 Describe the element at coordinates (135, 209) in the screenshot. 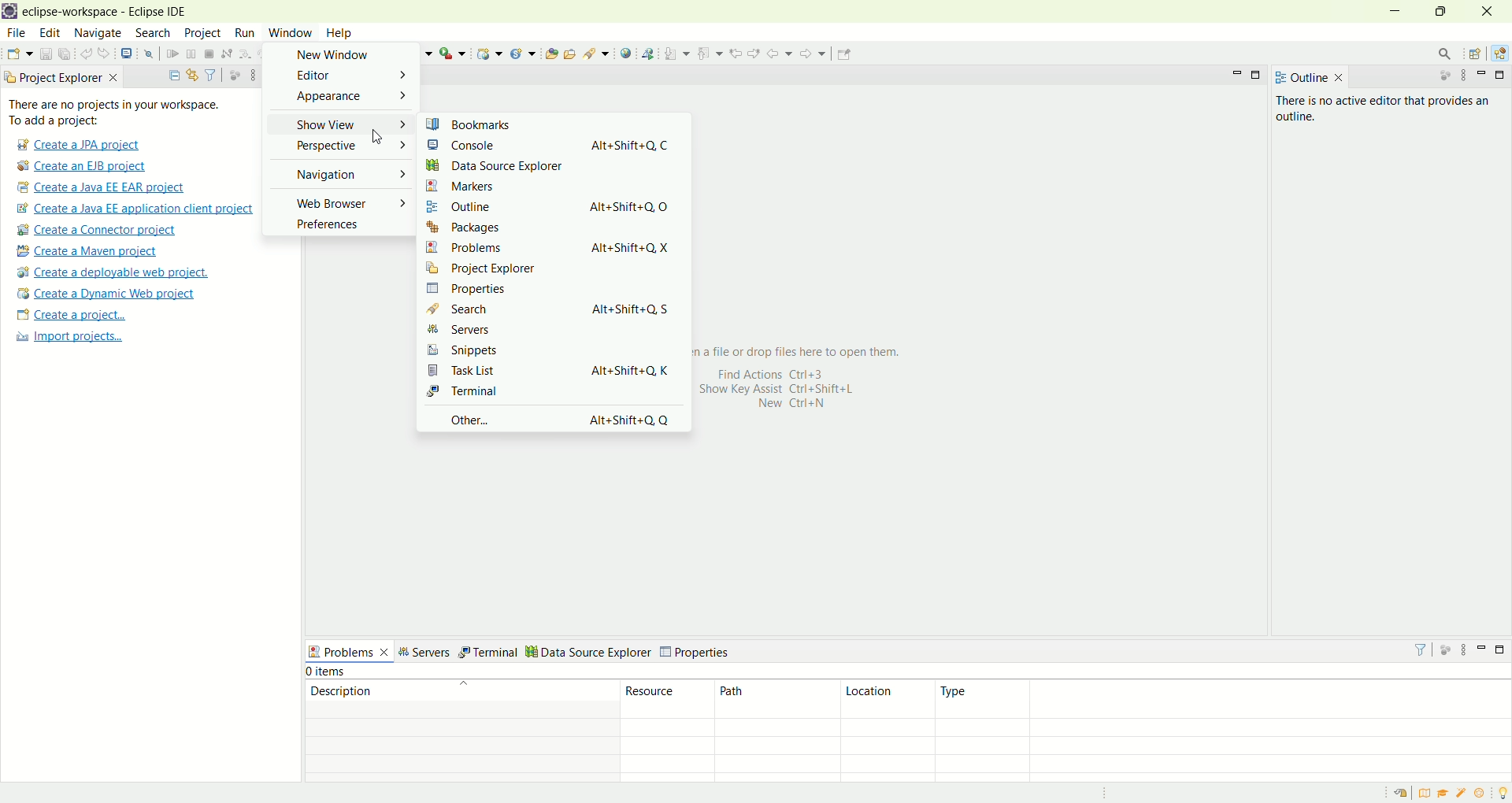

I see `create a Java EE application client project` at that location.